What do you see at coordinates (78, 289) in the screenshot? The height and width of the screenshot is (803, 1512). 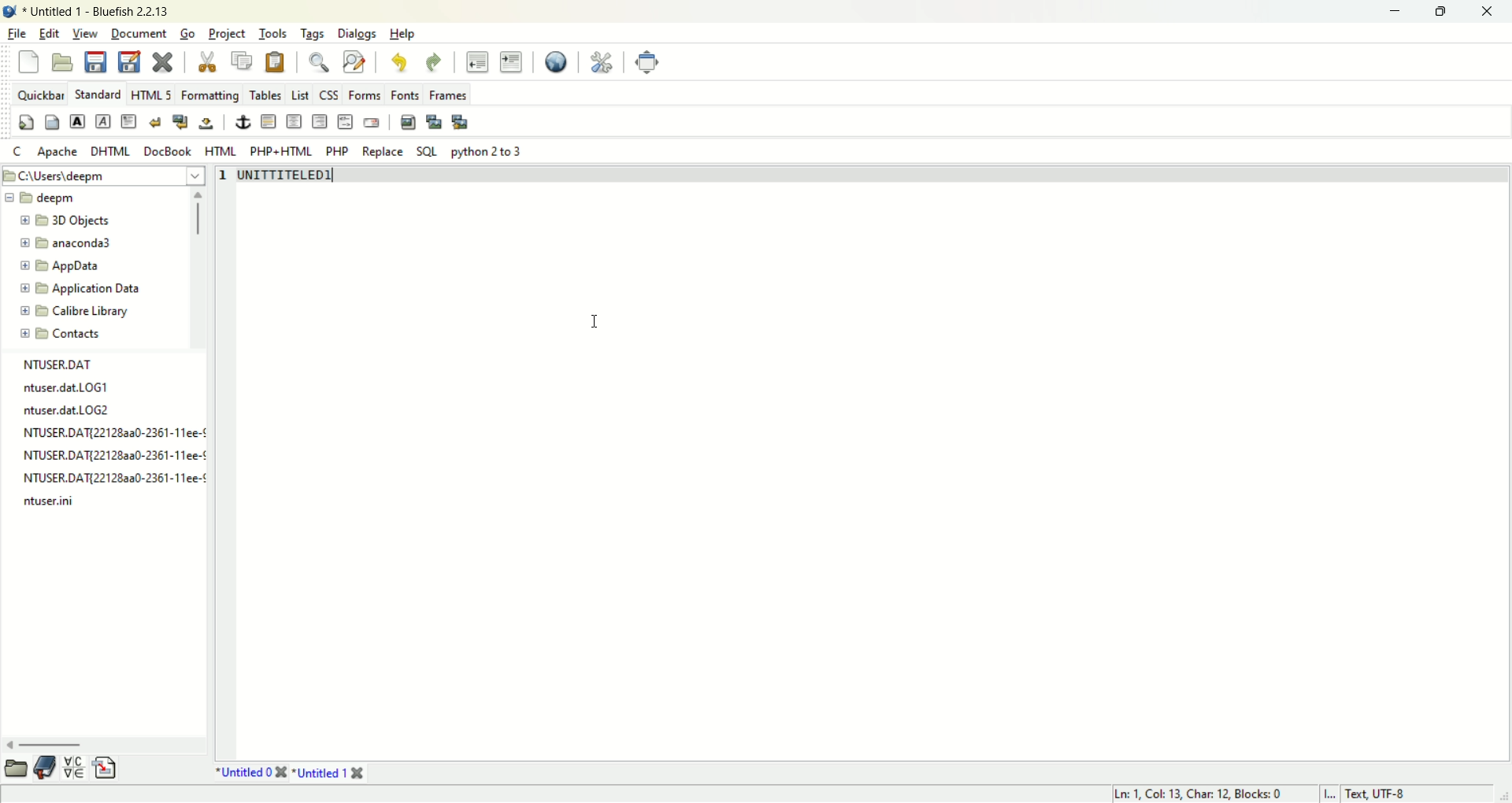 I see `application` at bounding box center [78, 289].